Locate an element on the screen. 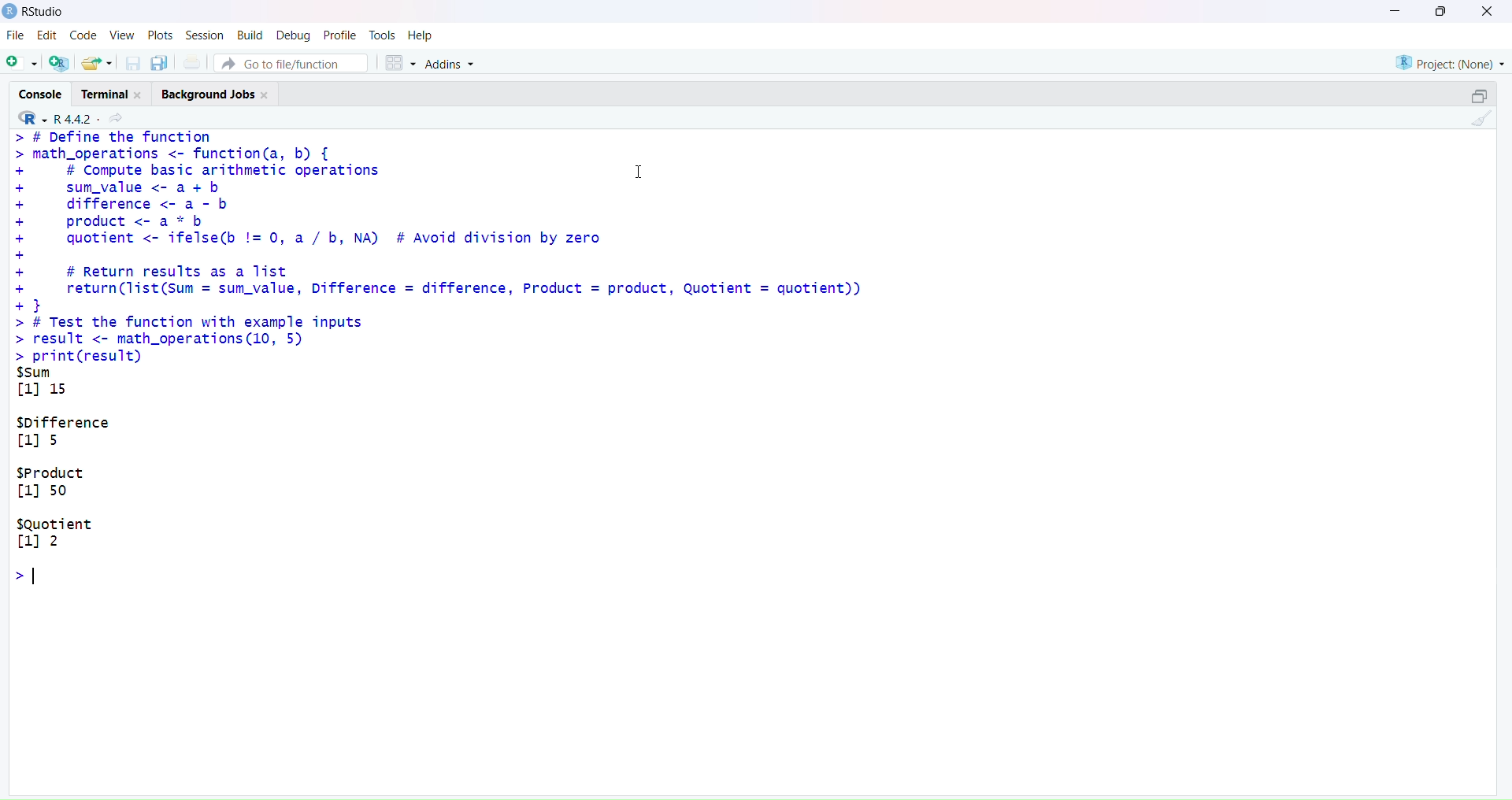 This screenshot has width=1512, height=800. Go to file/function is located at coordinates (292, 62).